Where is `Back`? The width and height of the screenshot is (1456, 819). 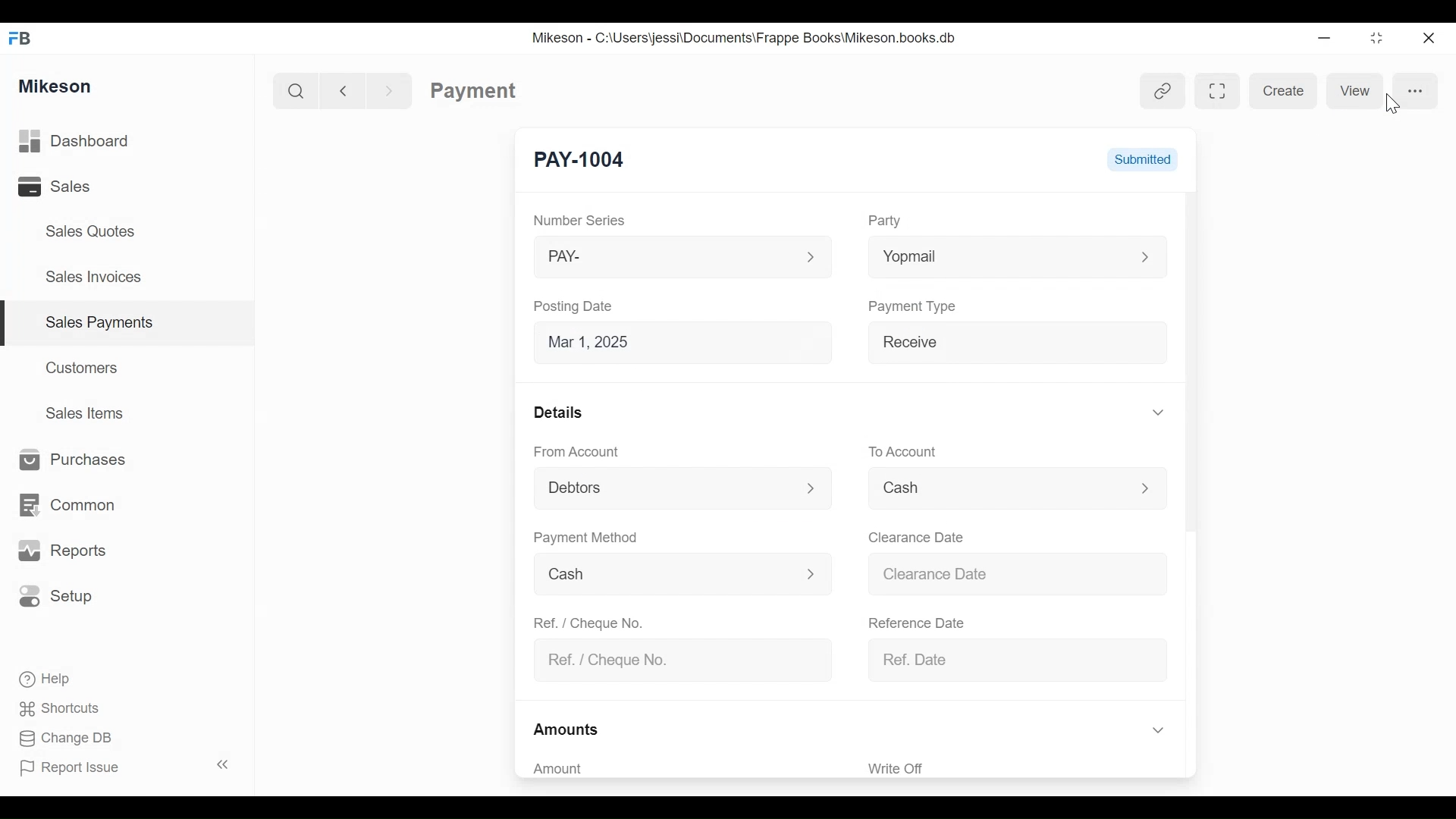 Back is located at coordinates (350, 89).